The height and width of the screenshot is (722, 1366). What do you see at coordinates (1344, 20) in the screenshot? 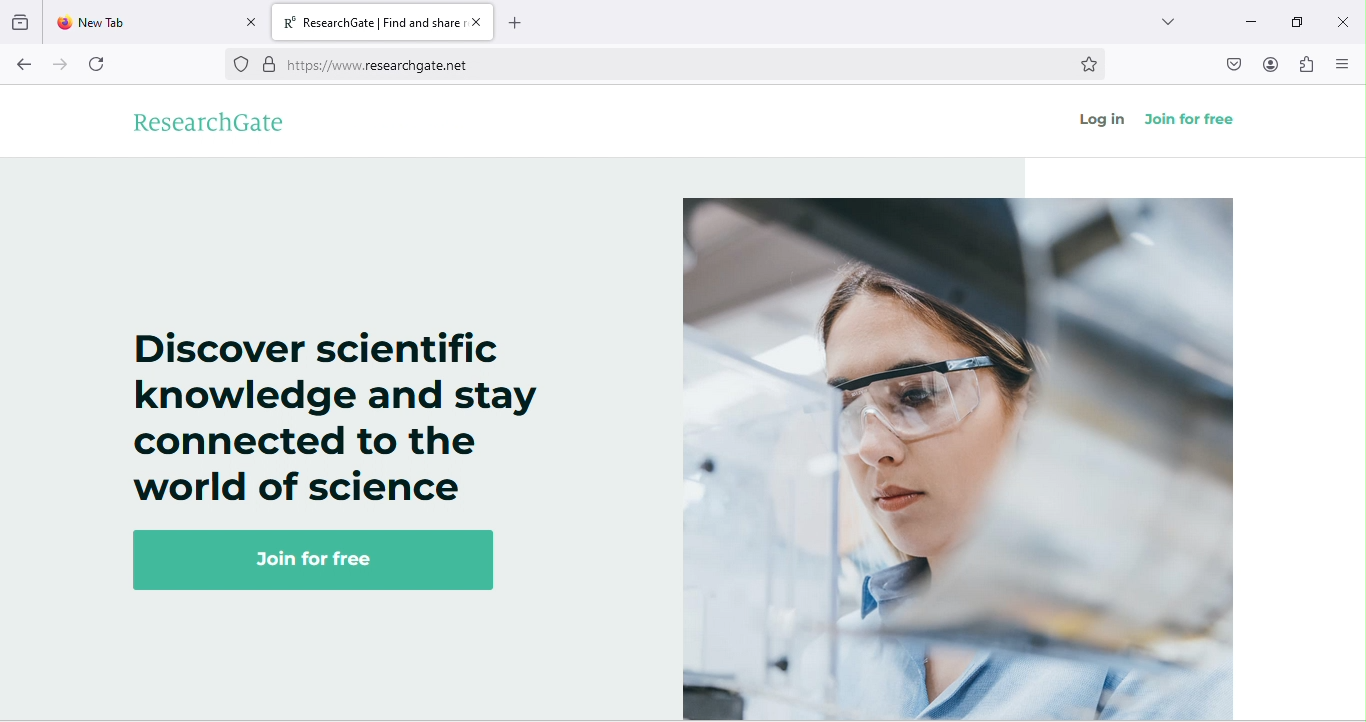
I see `close` at bounding box center [1344, 20].